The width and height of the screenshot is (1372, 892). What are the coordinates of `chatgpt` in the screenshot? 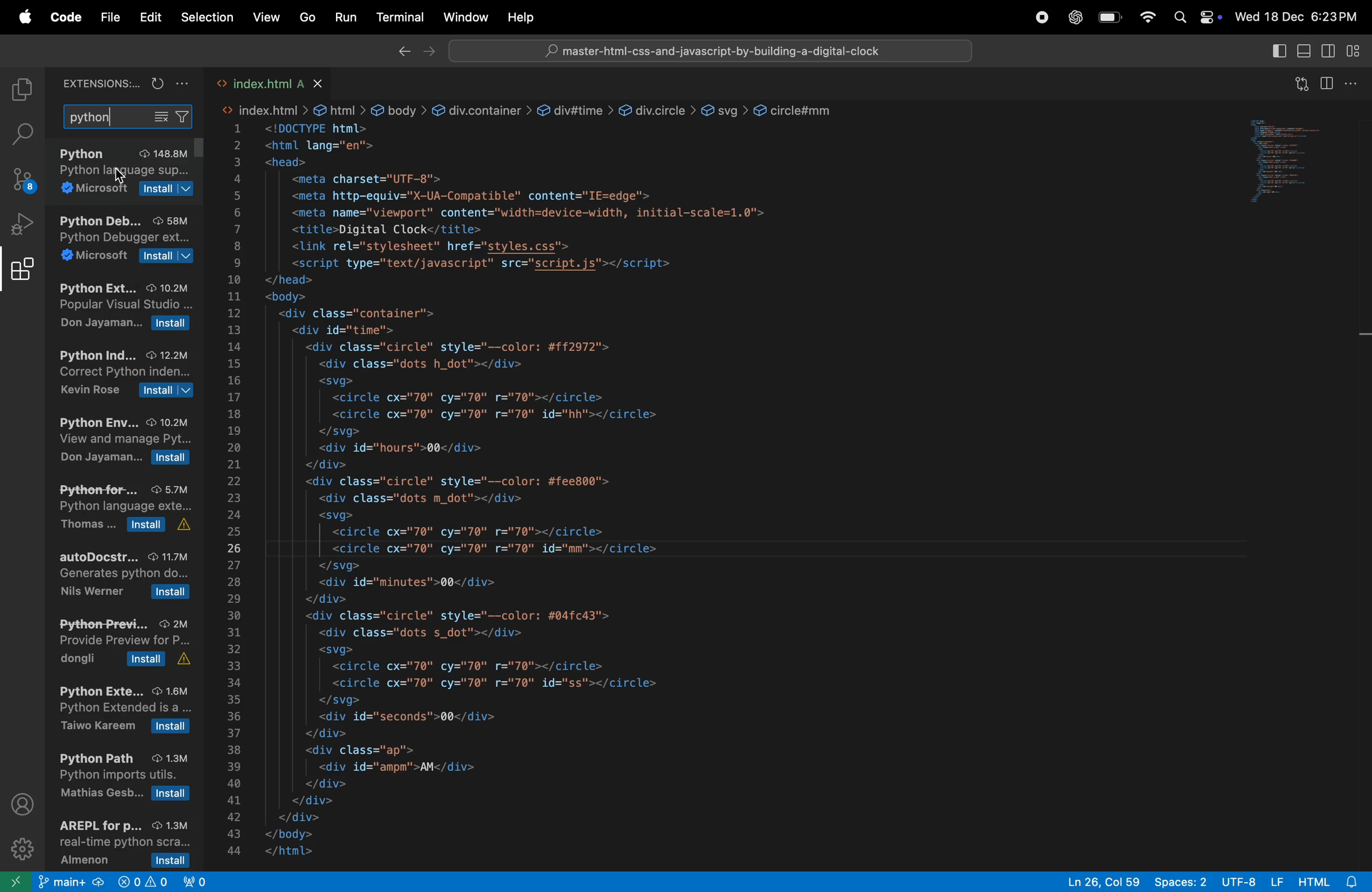 It's located at (1073, 17).